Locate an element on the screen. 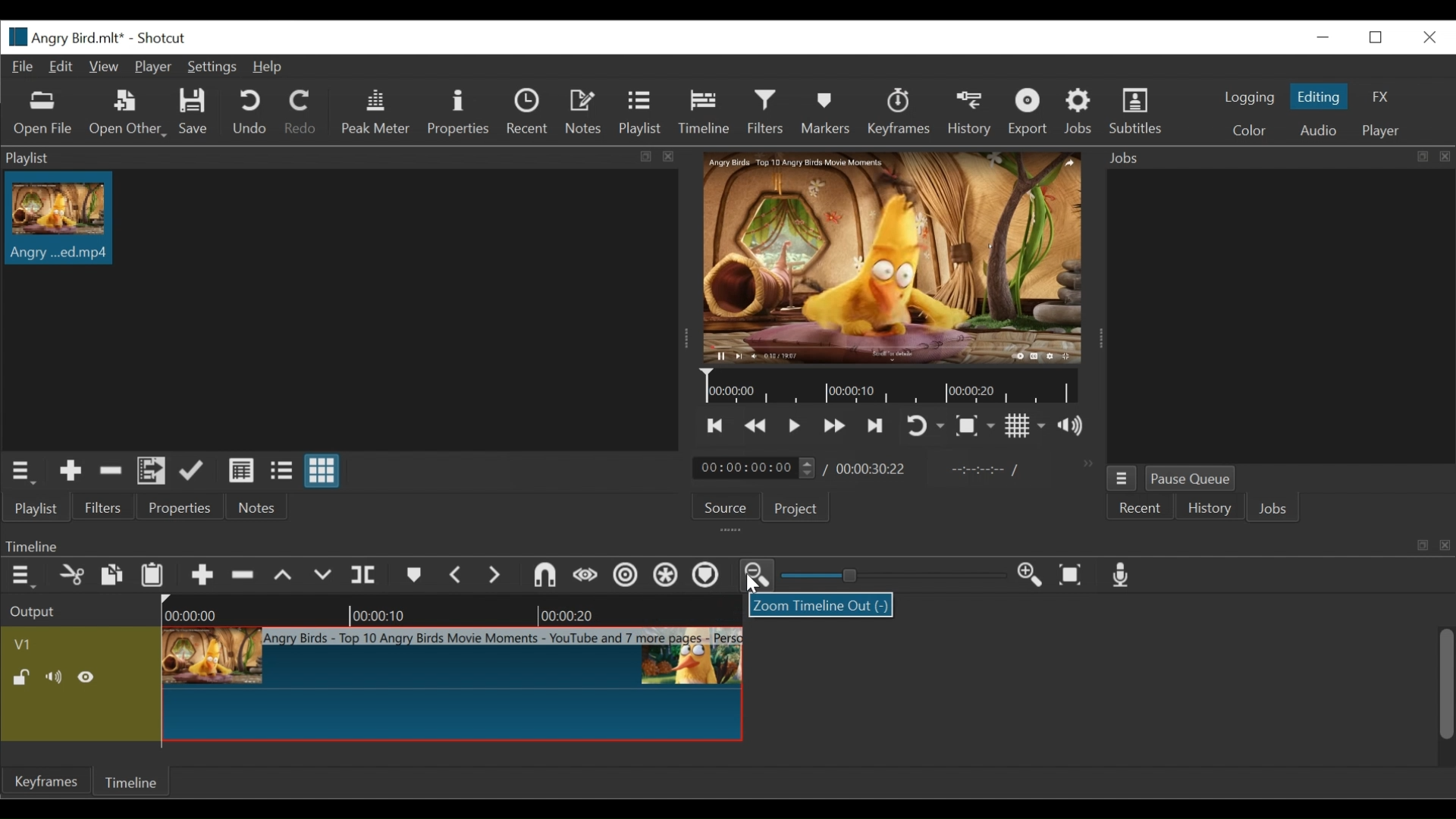  Total Duration is located at coordinates (873, 469).